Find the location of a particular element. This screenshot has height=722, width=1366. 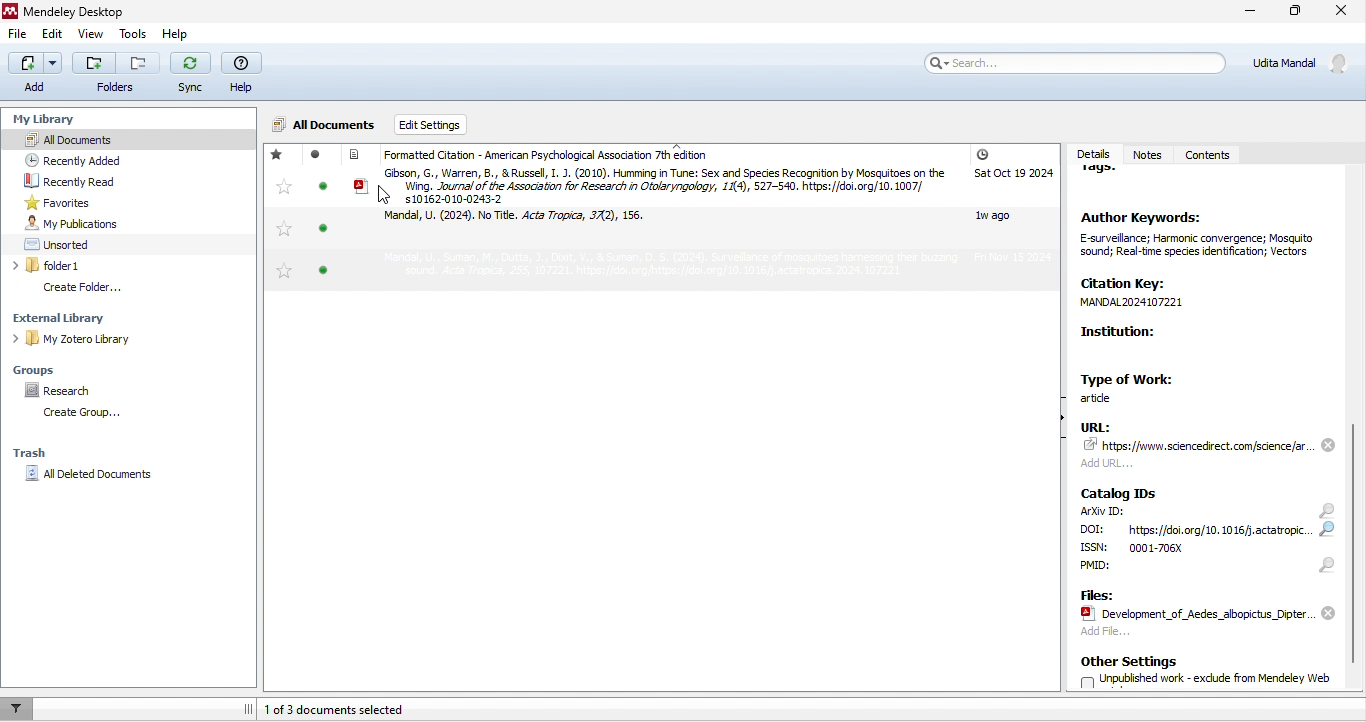

tags is located at coordinates (1107, 176).